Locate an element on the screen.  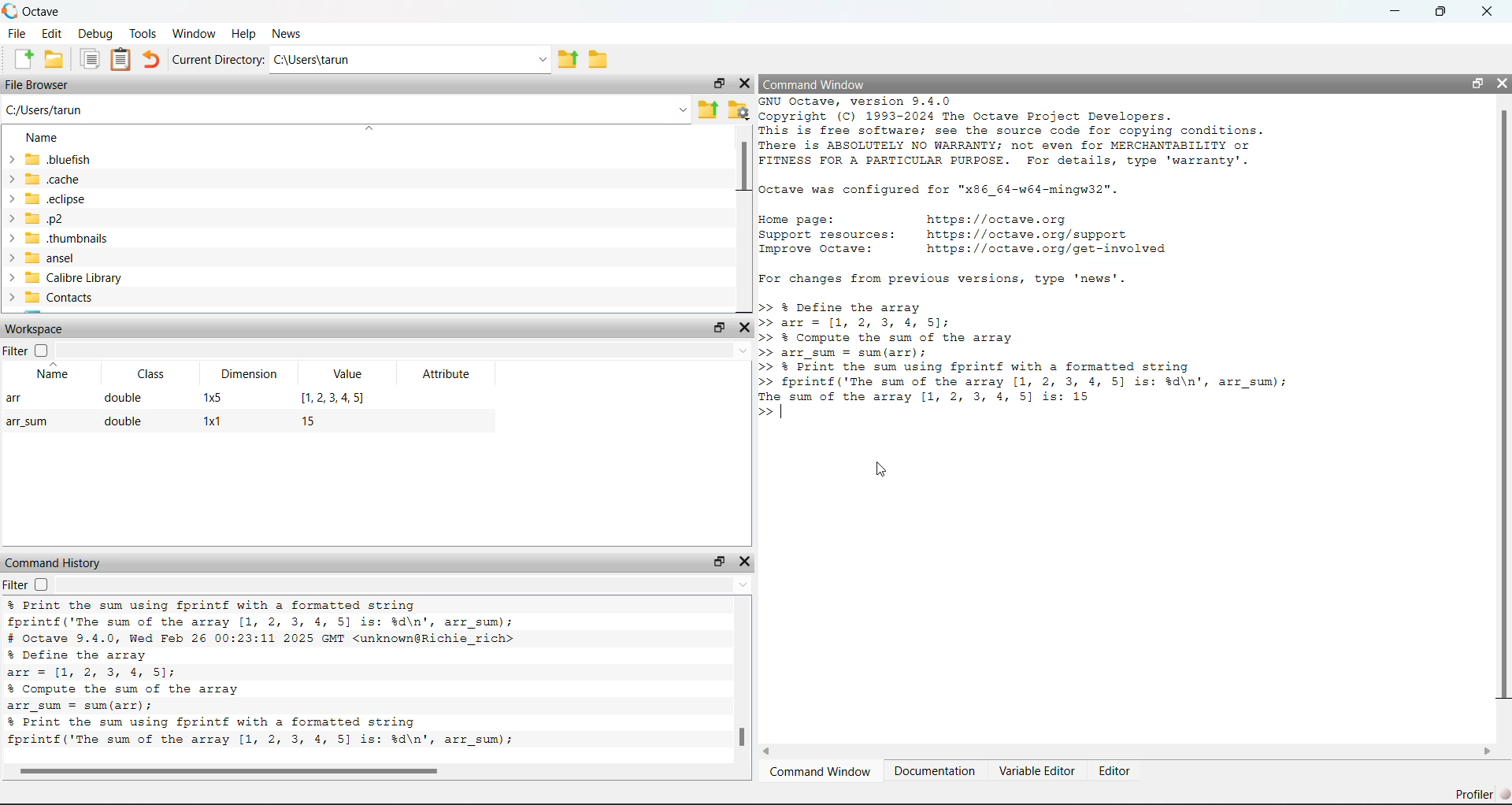
Scrollbar left is located at coordinates (774, 752).